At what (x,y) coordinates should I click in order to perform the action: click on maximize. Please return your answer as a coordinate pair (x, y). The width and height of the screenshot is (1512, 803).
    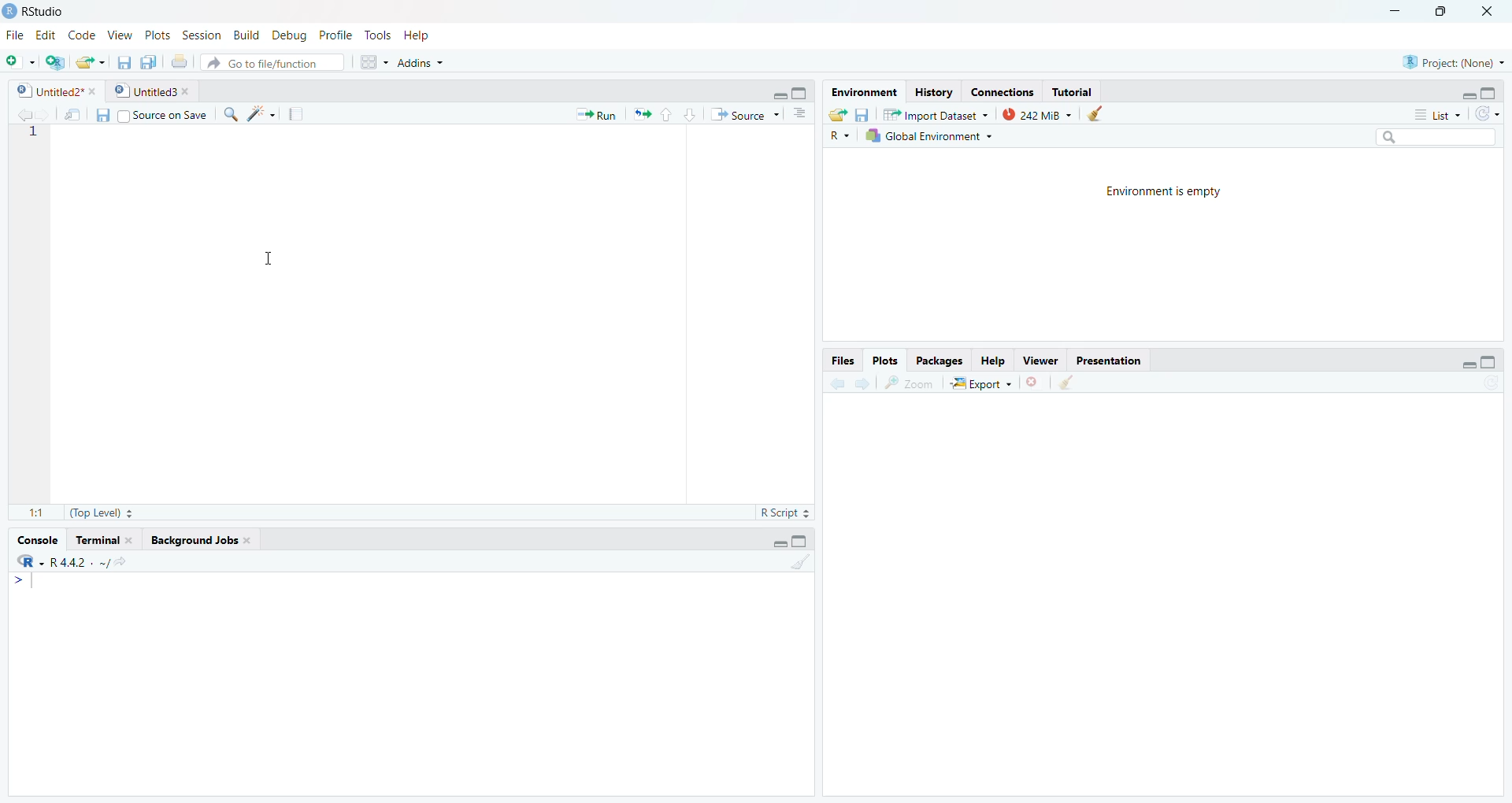
    Looking at the image, I should click on (801, 93).